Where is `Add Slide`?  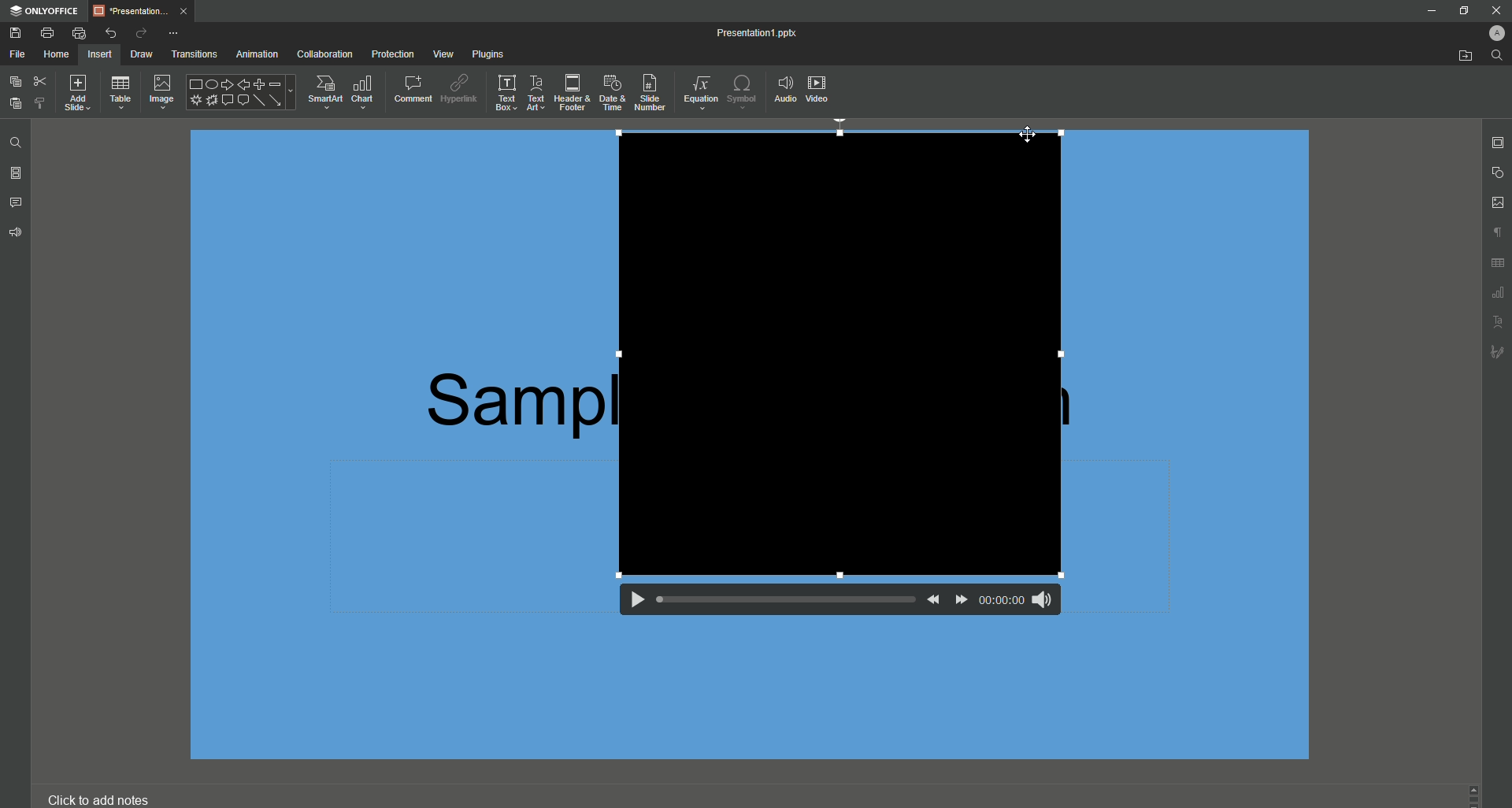 Add Slide is located at coordinates (77, 91).